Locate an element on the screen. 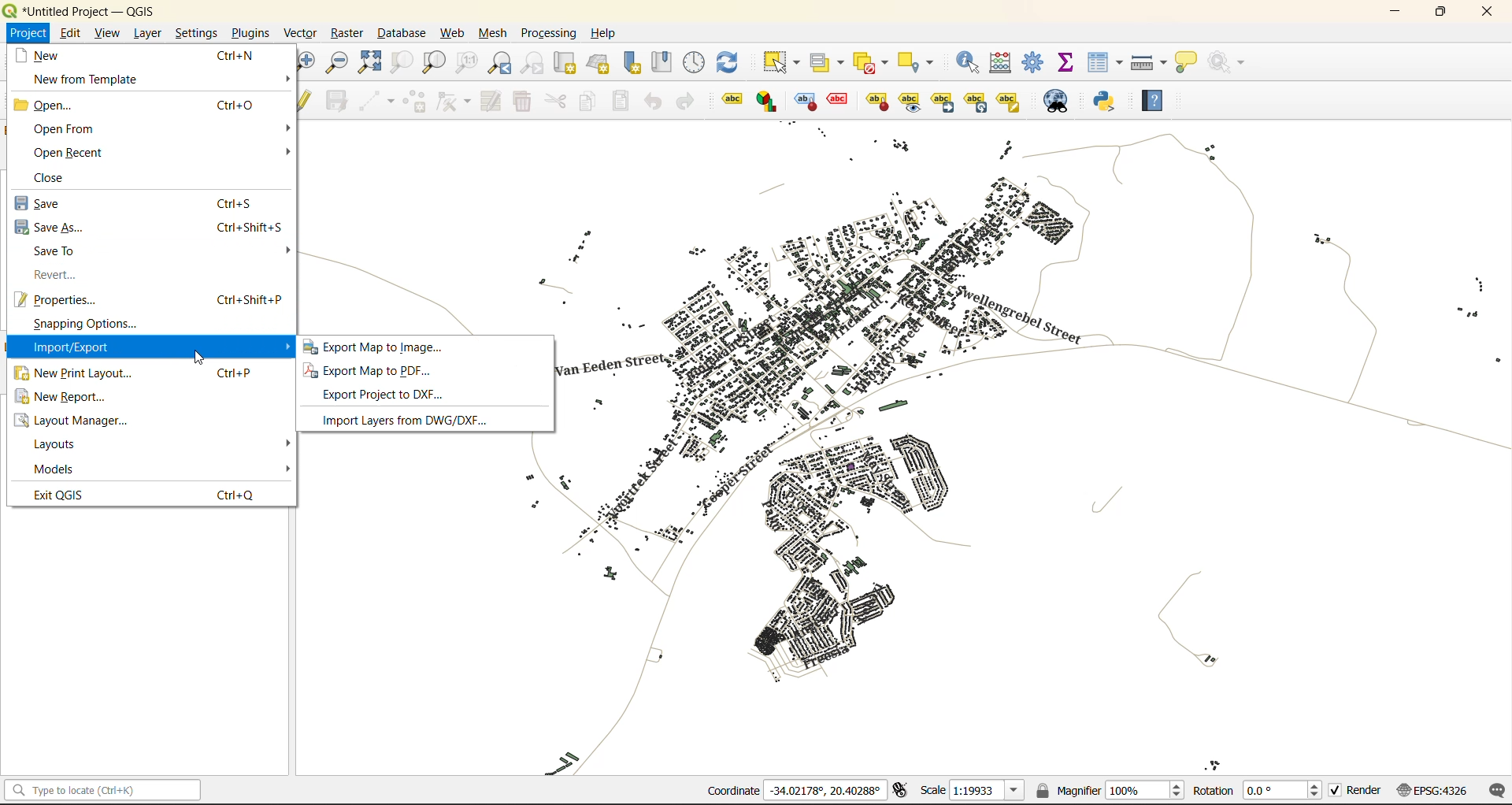 The image size is (1512, 805). zoom out is located at coordinates (337, 64).